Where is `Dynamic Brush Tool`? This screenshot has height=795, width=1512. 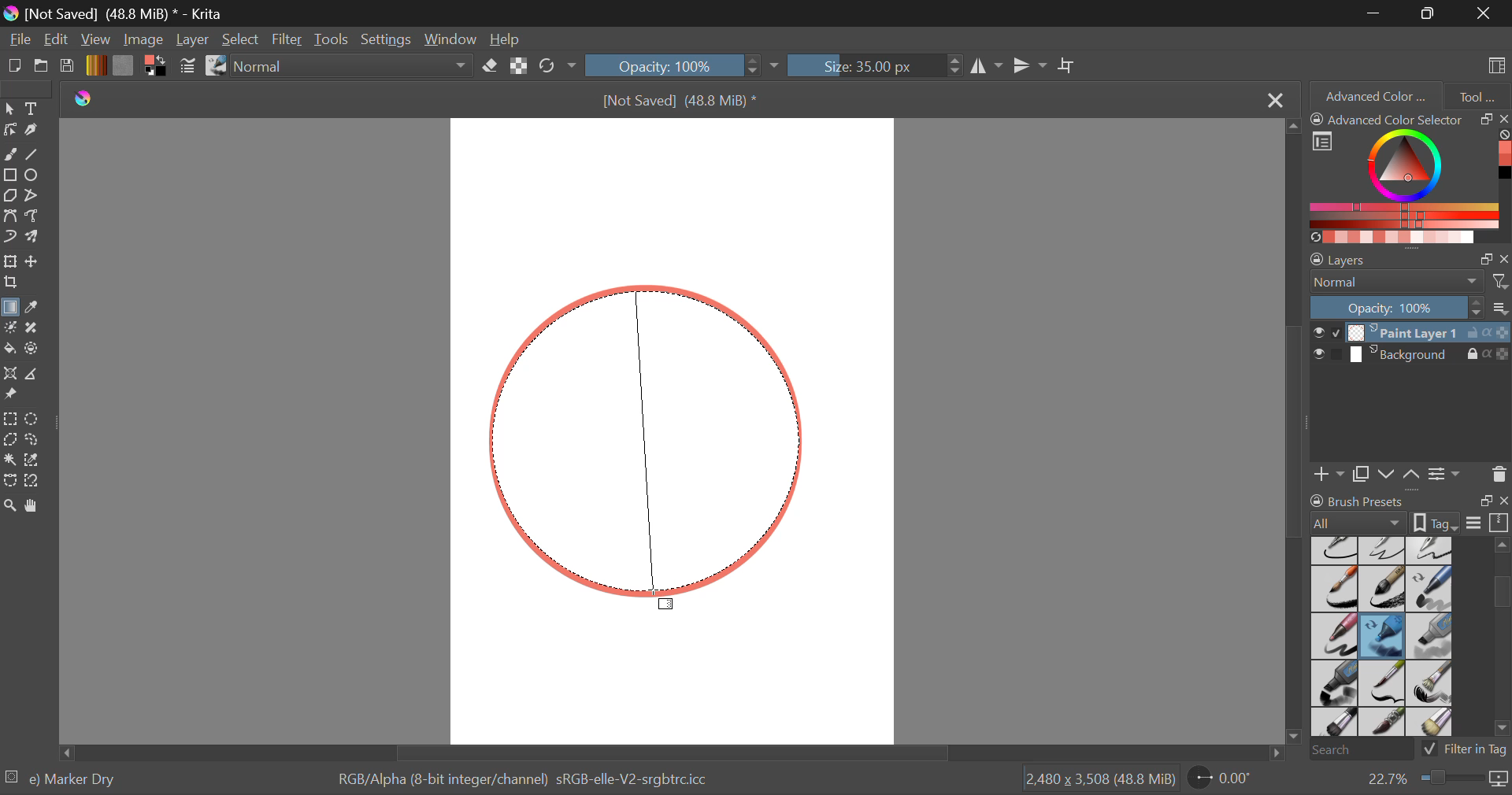 Dynamic Brush Tool is located at coordinates (9, 238).